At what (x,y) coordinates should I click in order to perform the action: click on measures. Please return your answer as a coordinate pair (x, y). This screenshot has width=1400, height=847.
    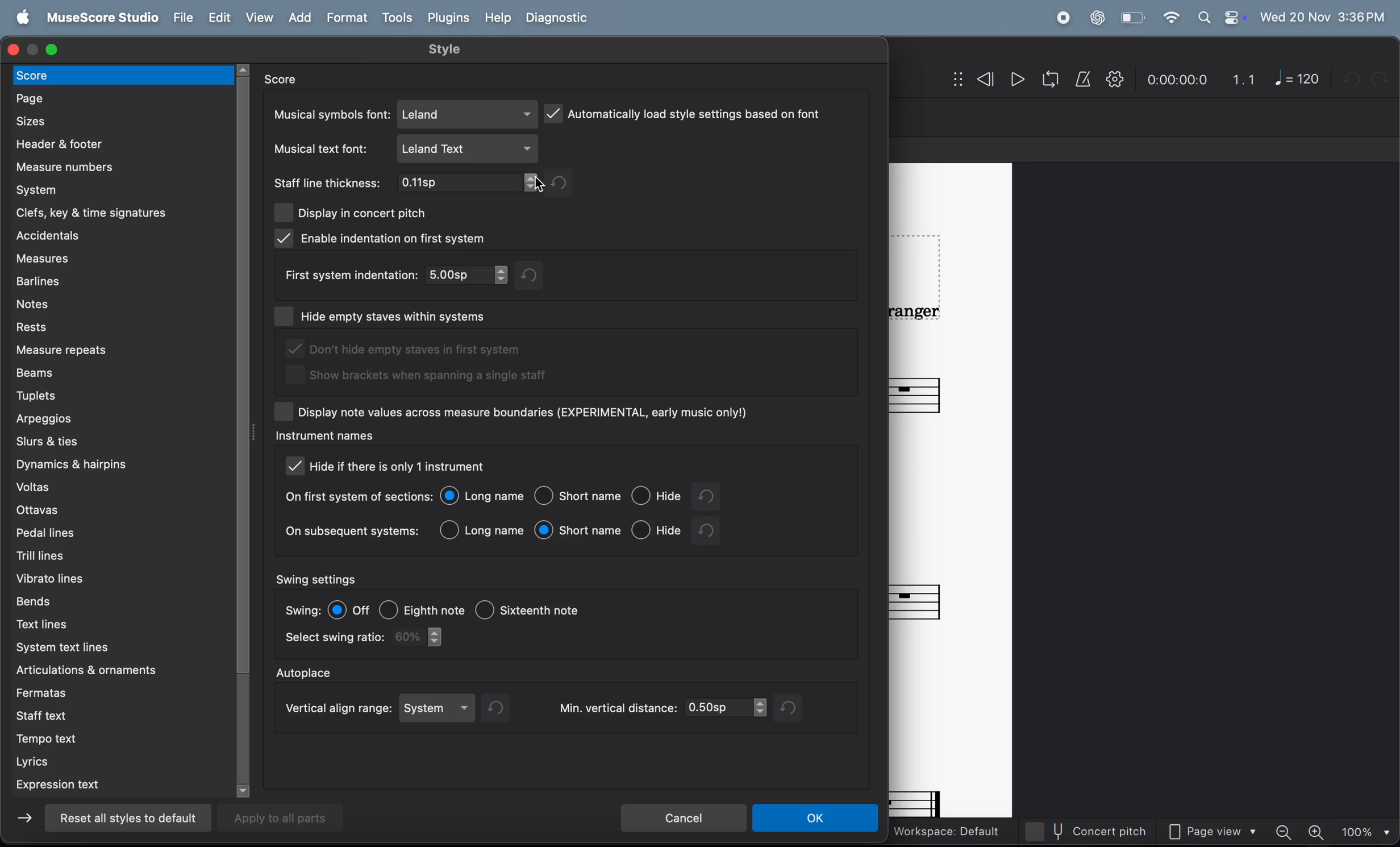
    Looking at the image, I should click on (118, 259).